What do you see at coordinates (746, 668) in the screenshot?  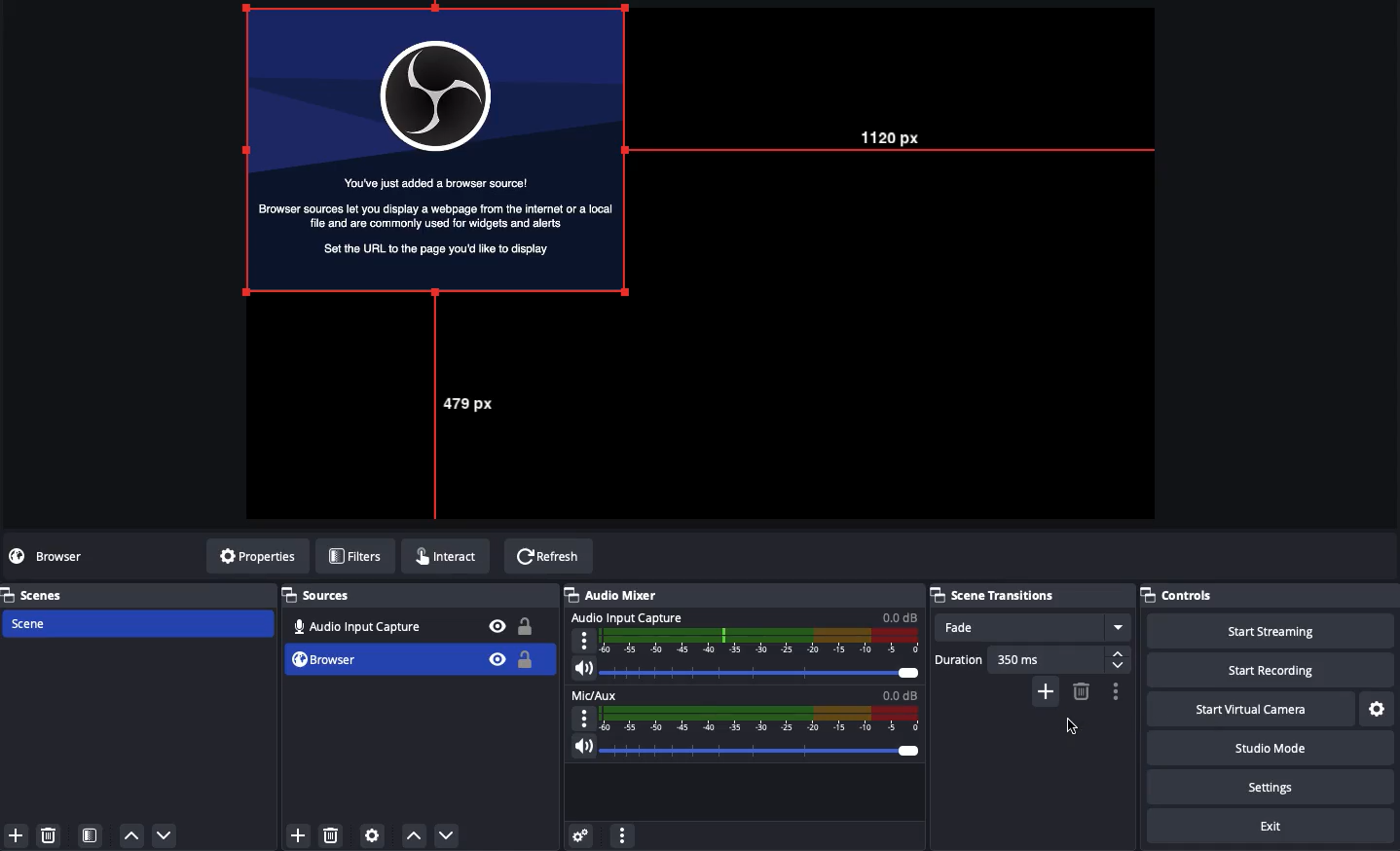 I see `Volume` at bounding box center [746, 668].